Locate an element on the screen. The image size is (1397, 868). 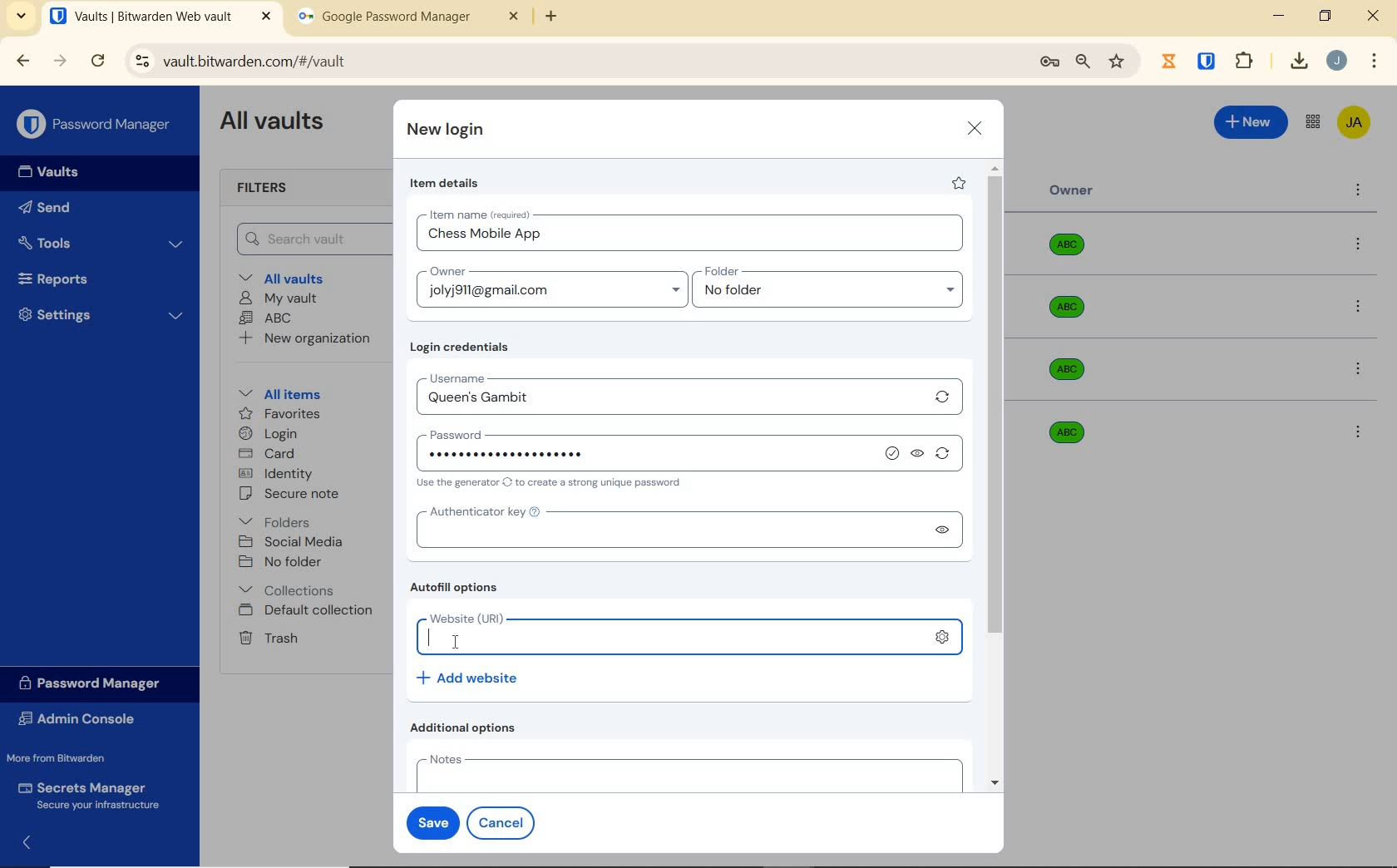
download is located at coordinates (1298, 61).